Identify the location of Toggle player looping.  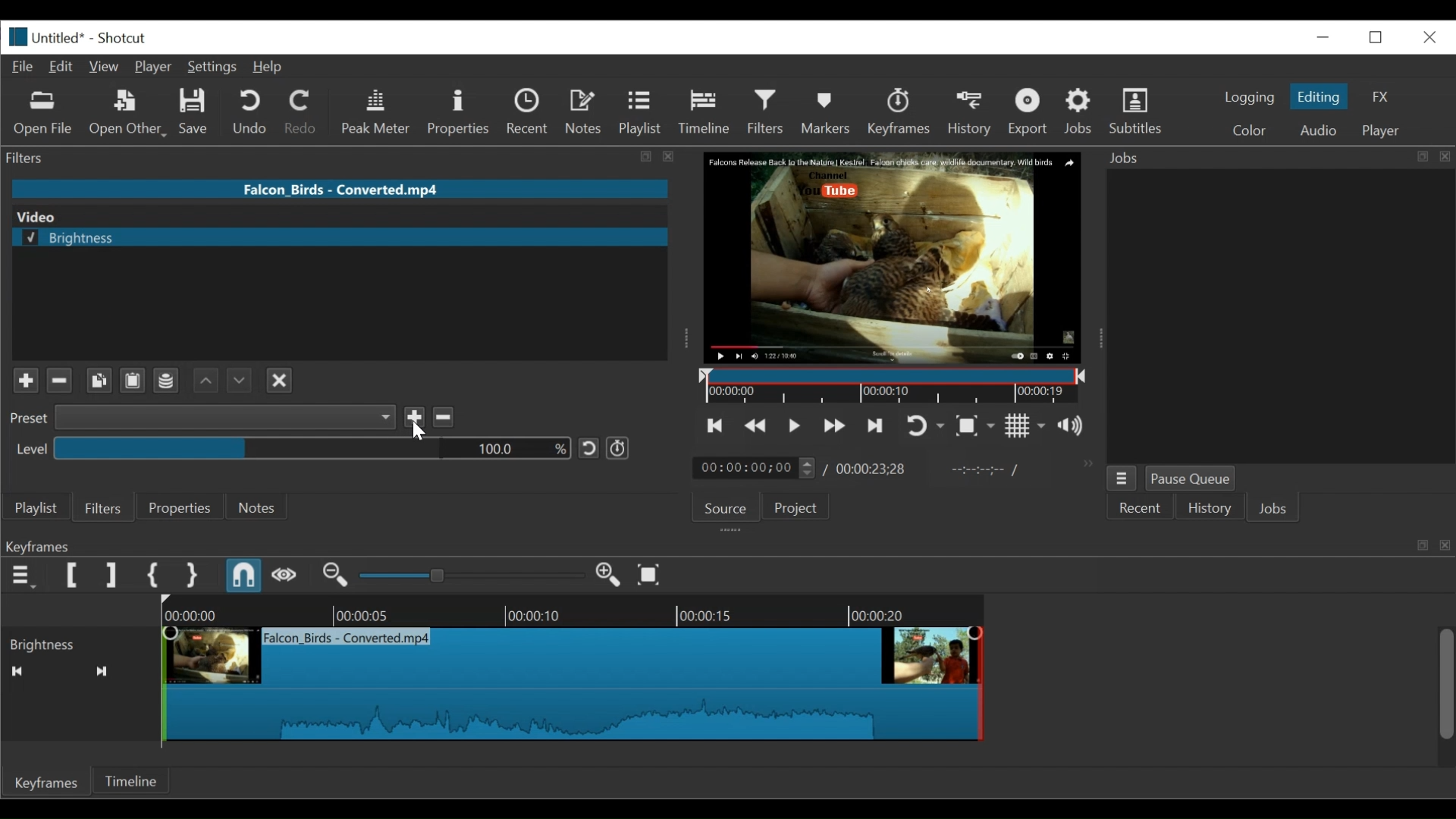
(923, 427).